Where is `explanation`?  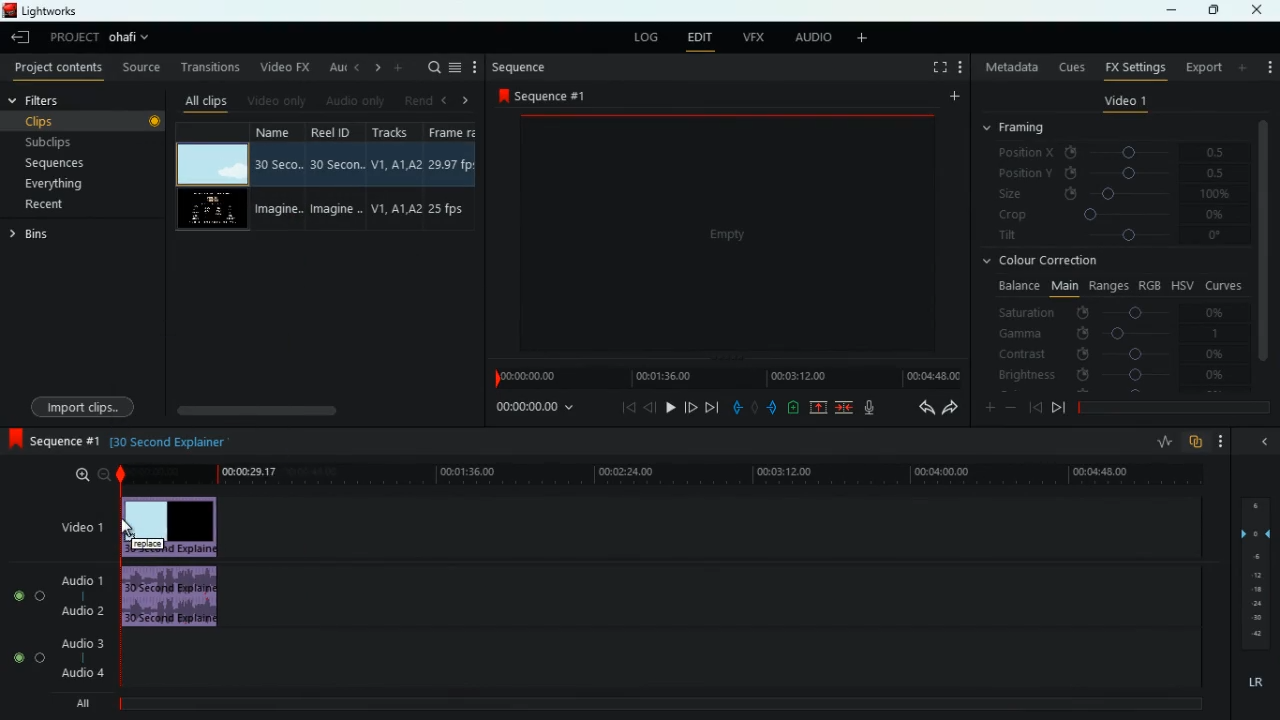
explanation is located at coordinates (170, 443).